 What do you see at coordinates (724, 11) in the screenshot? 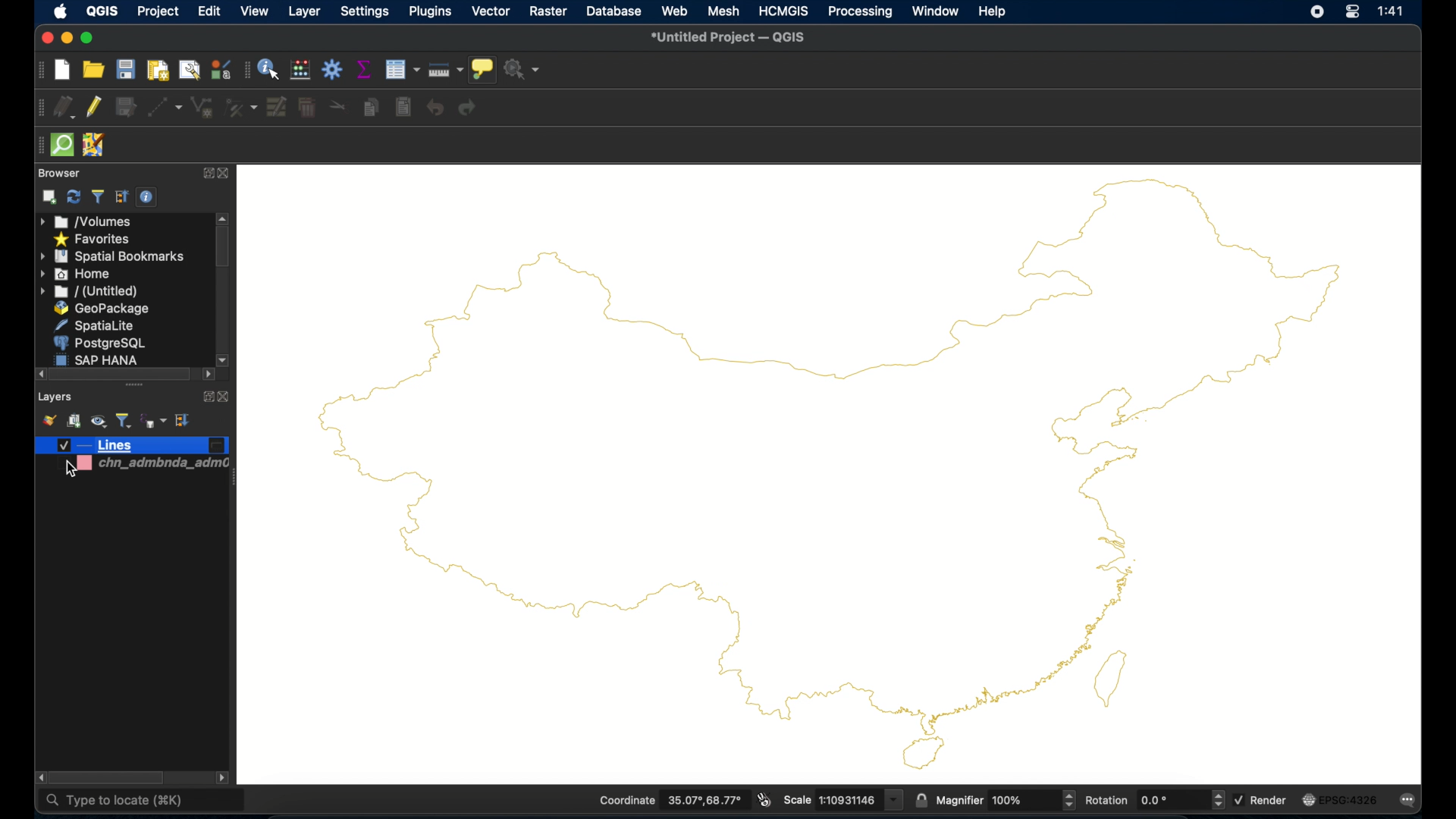
I see `mesh` at bounding box center [724, 11].